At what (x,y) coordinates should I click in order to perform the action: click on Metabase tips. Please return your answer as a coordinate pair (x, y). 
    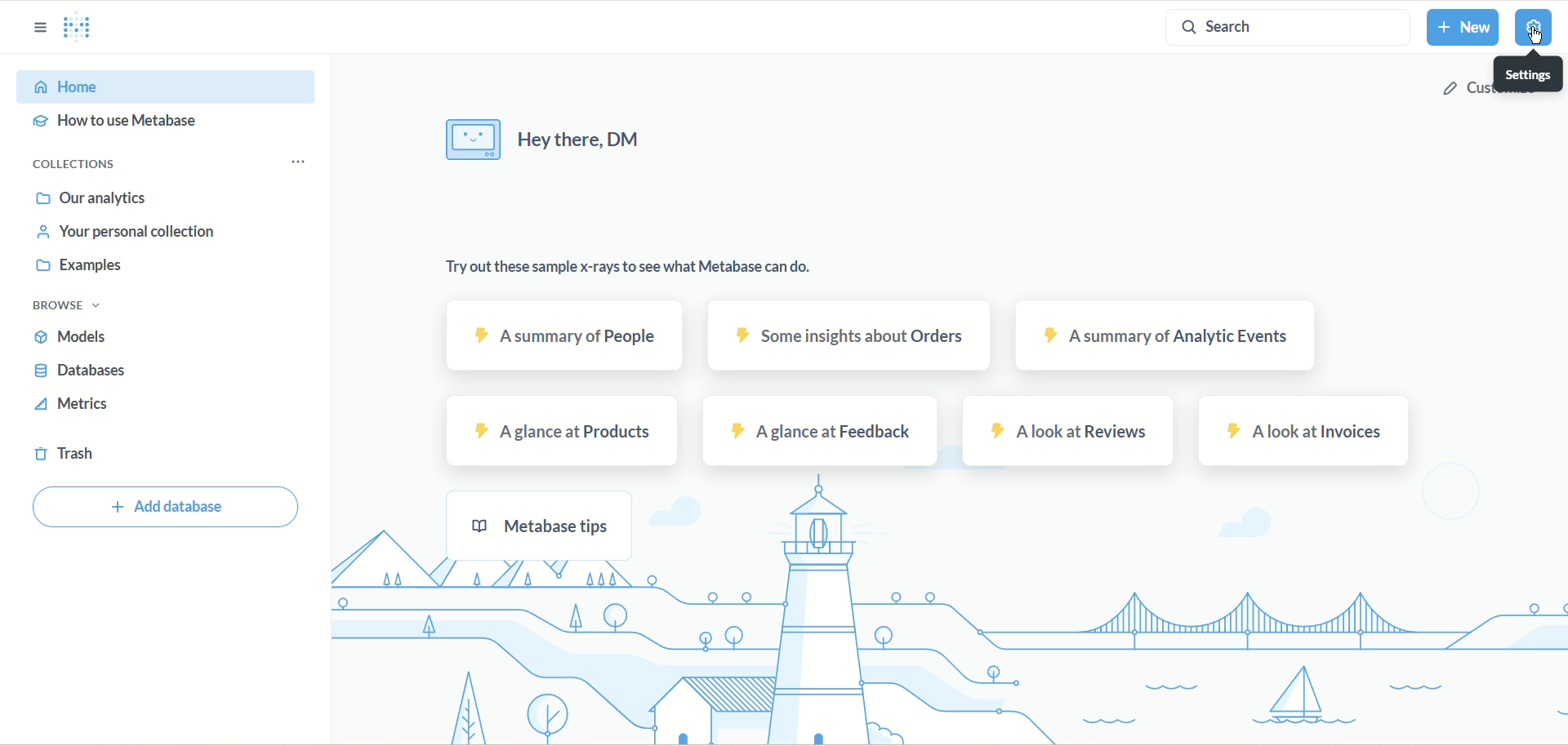
    Looking at the image, I should click on (551, 522).